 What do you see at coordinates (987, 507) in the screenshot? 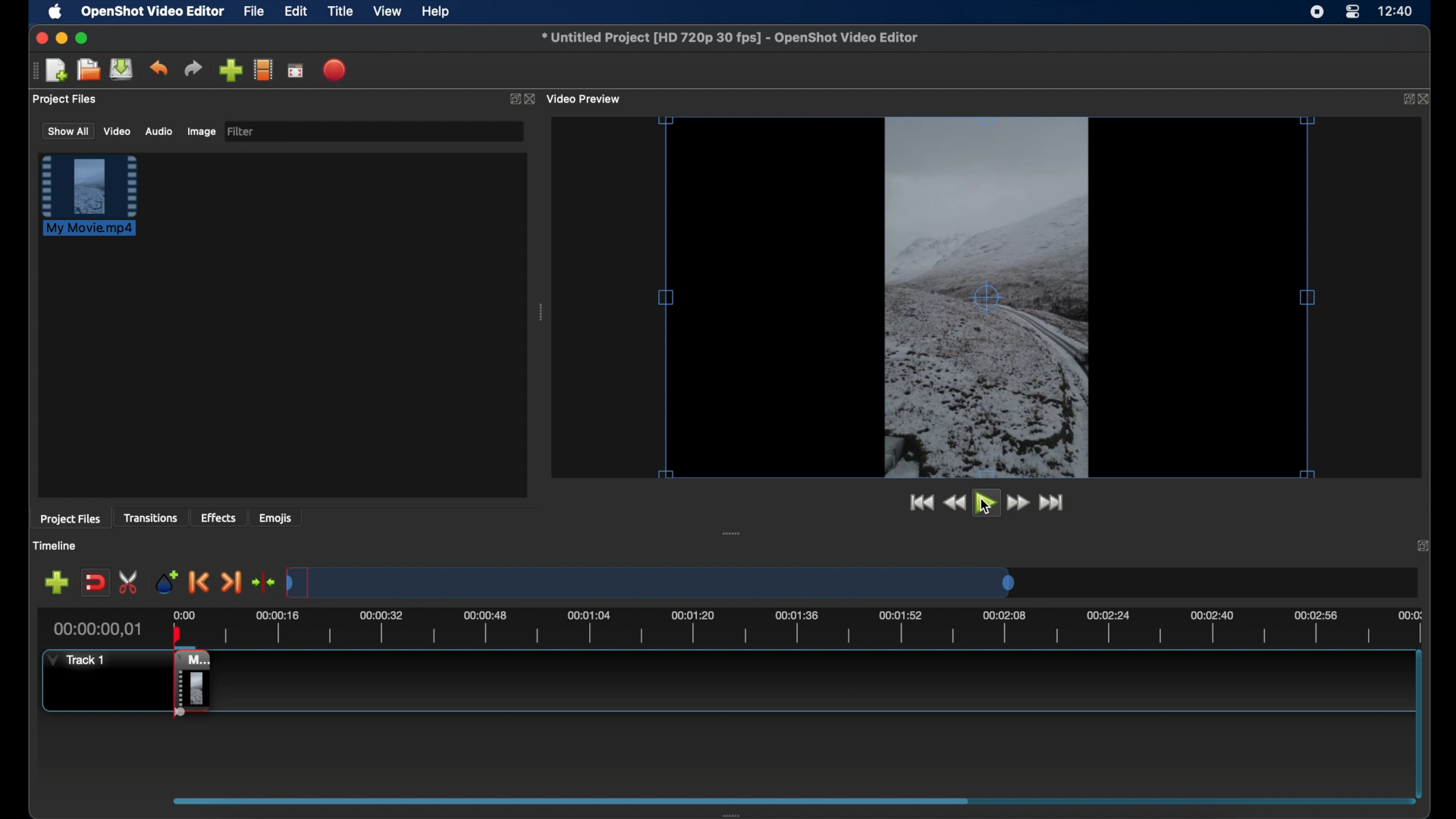
I see `play button` at bounding box center [987, 507].